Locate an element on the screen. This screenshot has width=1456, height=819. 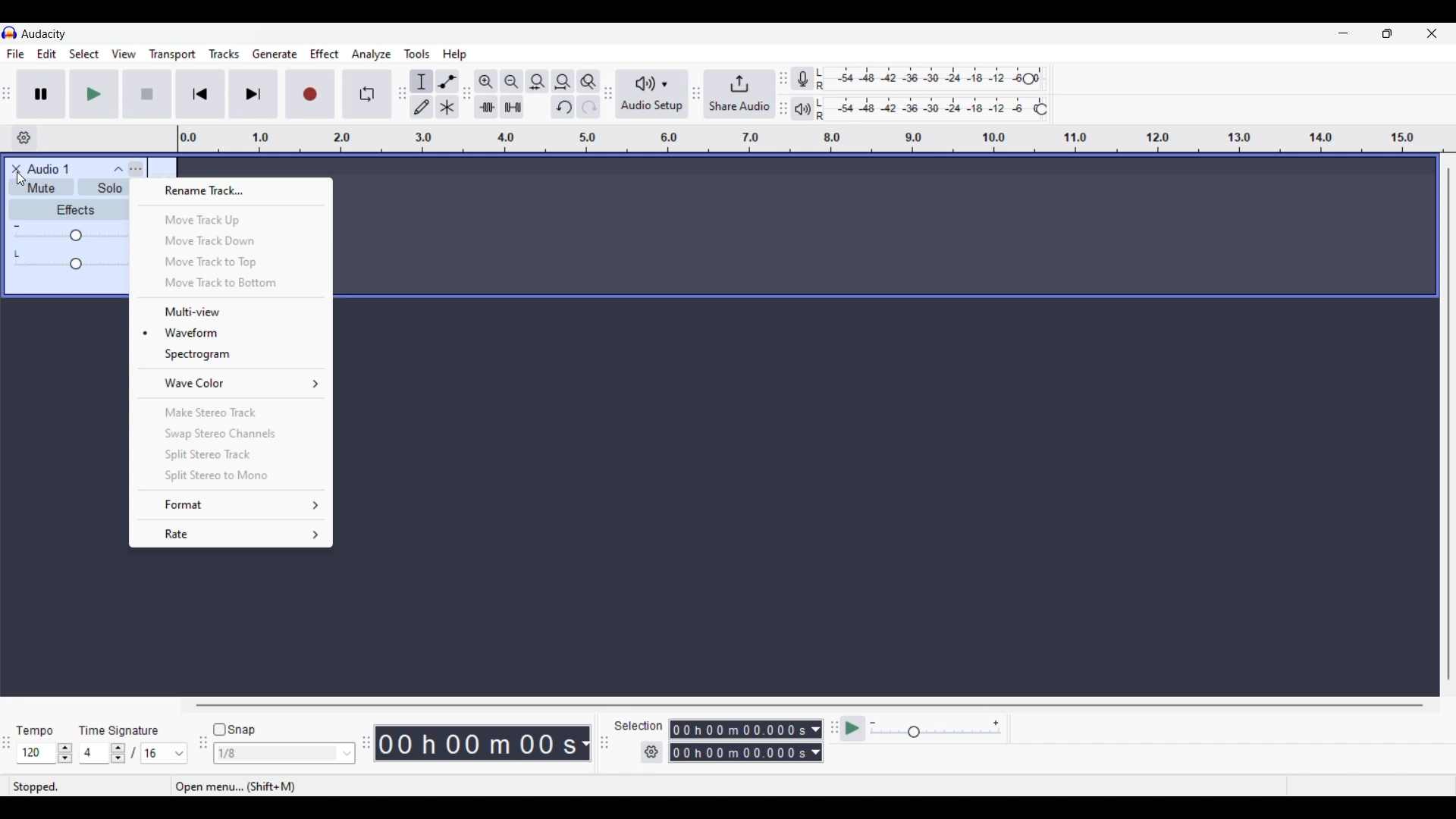
Increase/Decrease time signature is located at coordinates (118, 753).